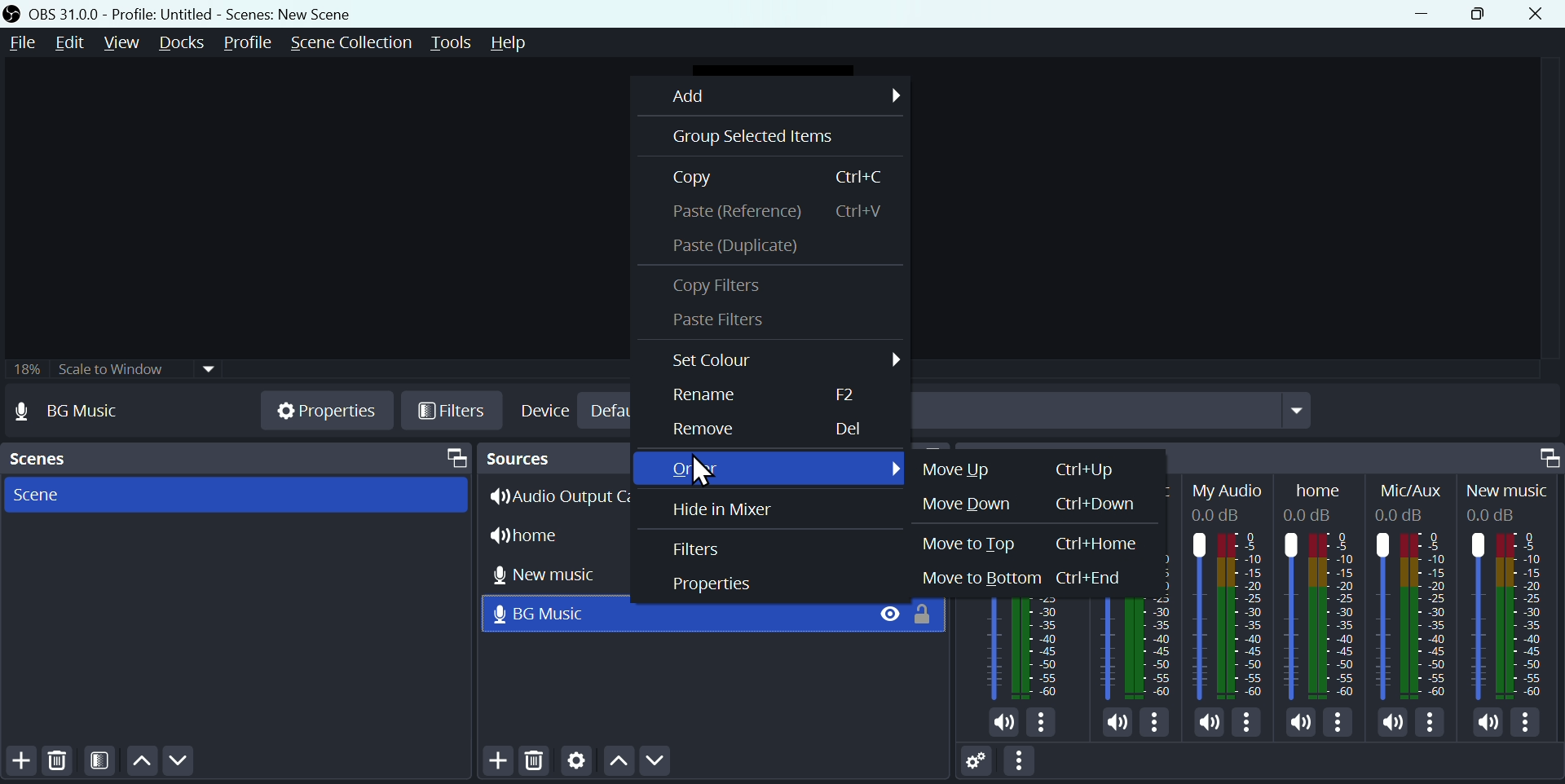  Describe the element at coordinates (783, 363) in the screenshot. I see `Set colour` at that location.